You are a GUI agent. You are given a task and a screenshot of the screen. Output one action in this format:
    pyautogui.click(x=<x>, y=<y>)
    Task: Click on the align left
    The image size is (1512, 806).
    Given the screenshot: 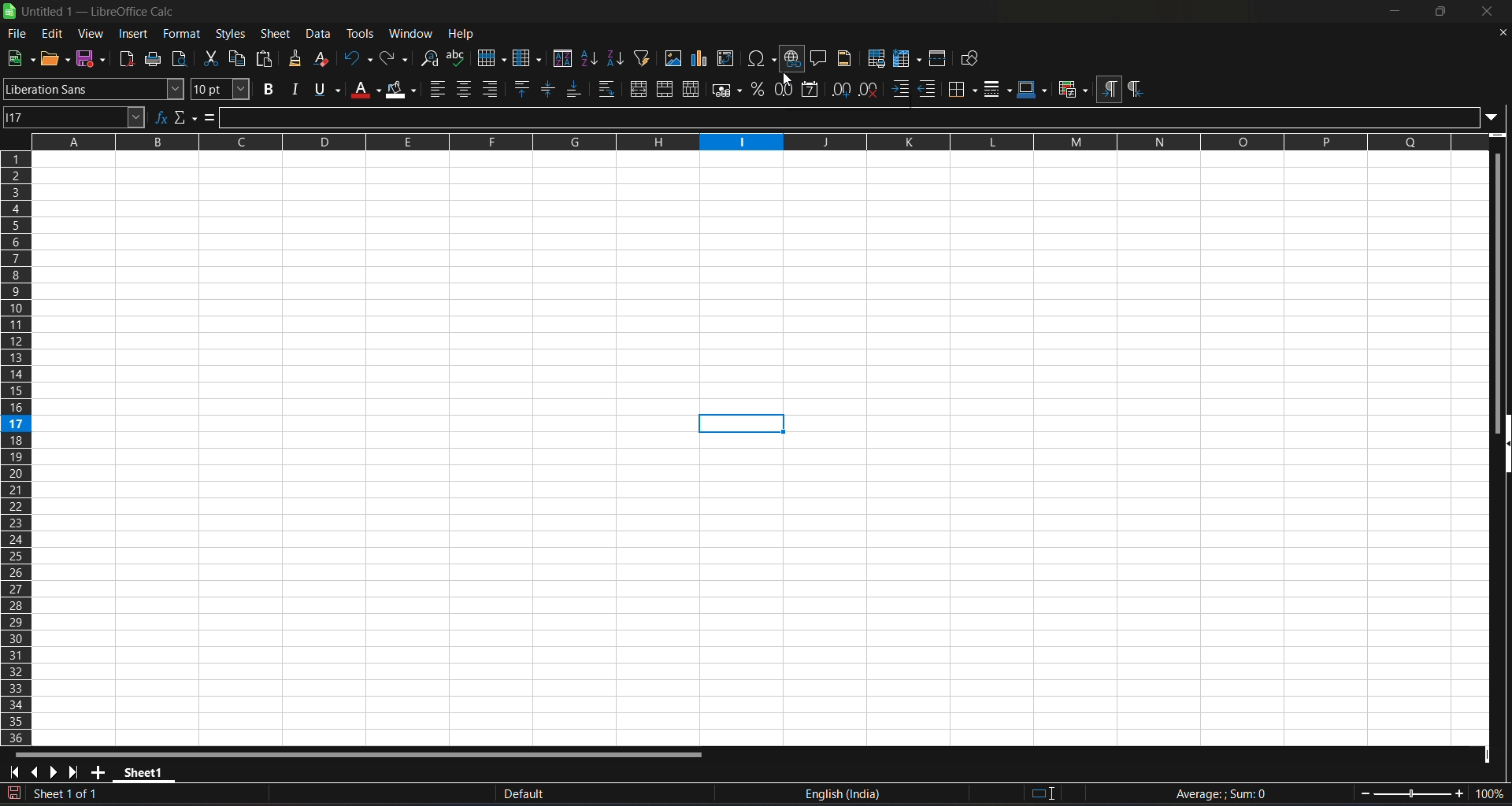 What is the action you would take?
    pyautogui.click(x=439, y=89)
    